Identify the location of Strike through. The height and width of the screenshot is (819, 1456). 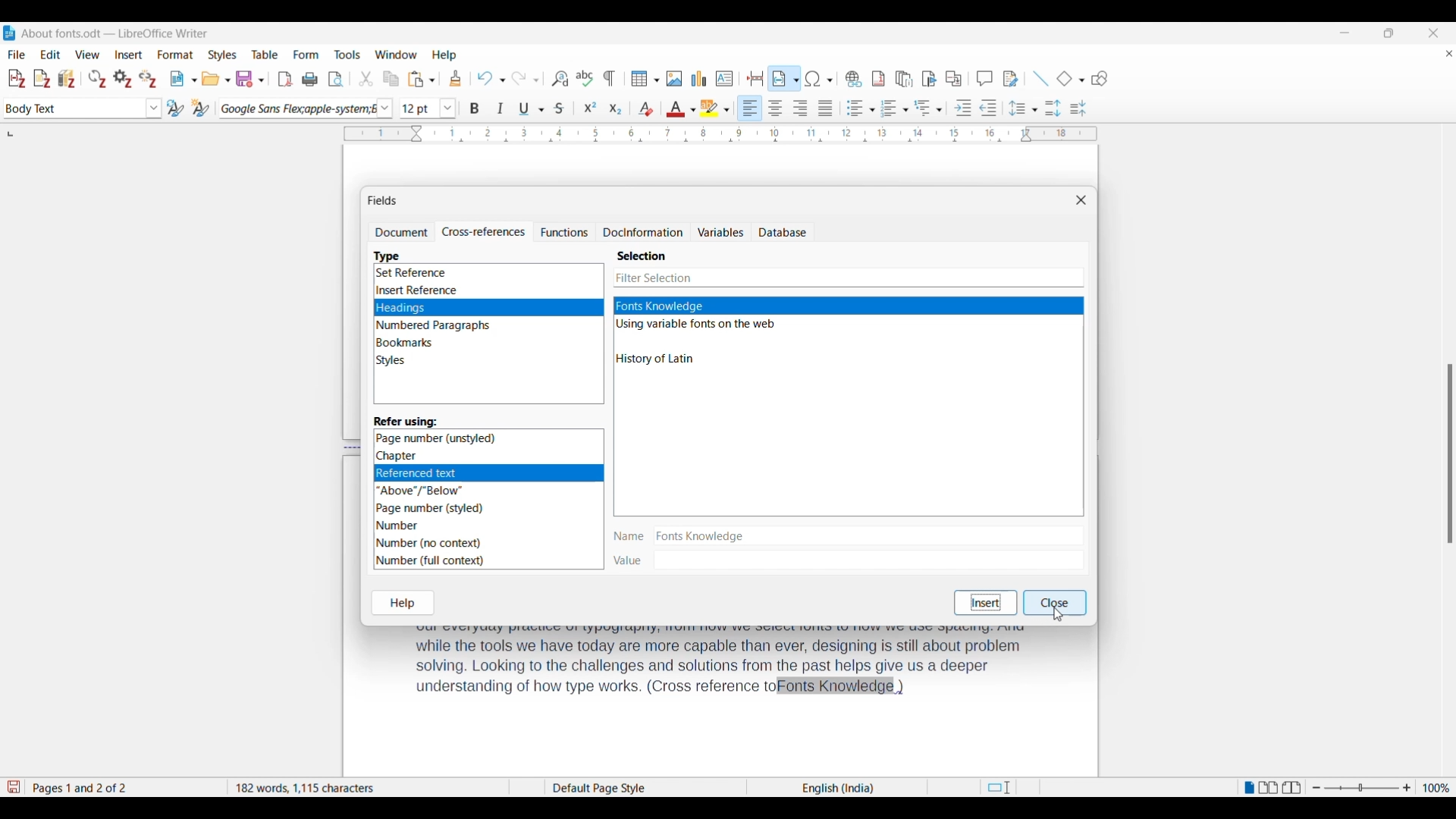
(560, 108).